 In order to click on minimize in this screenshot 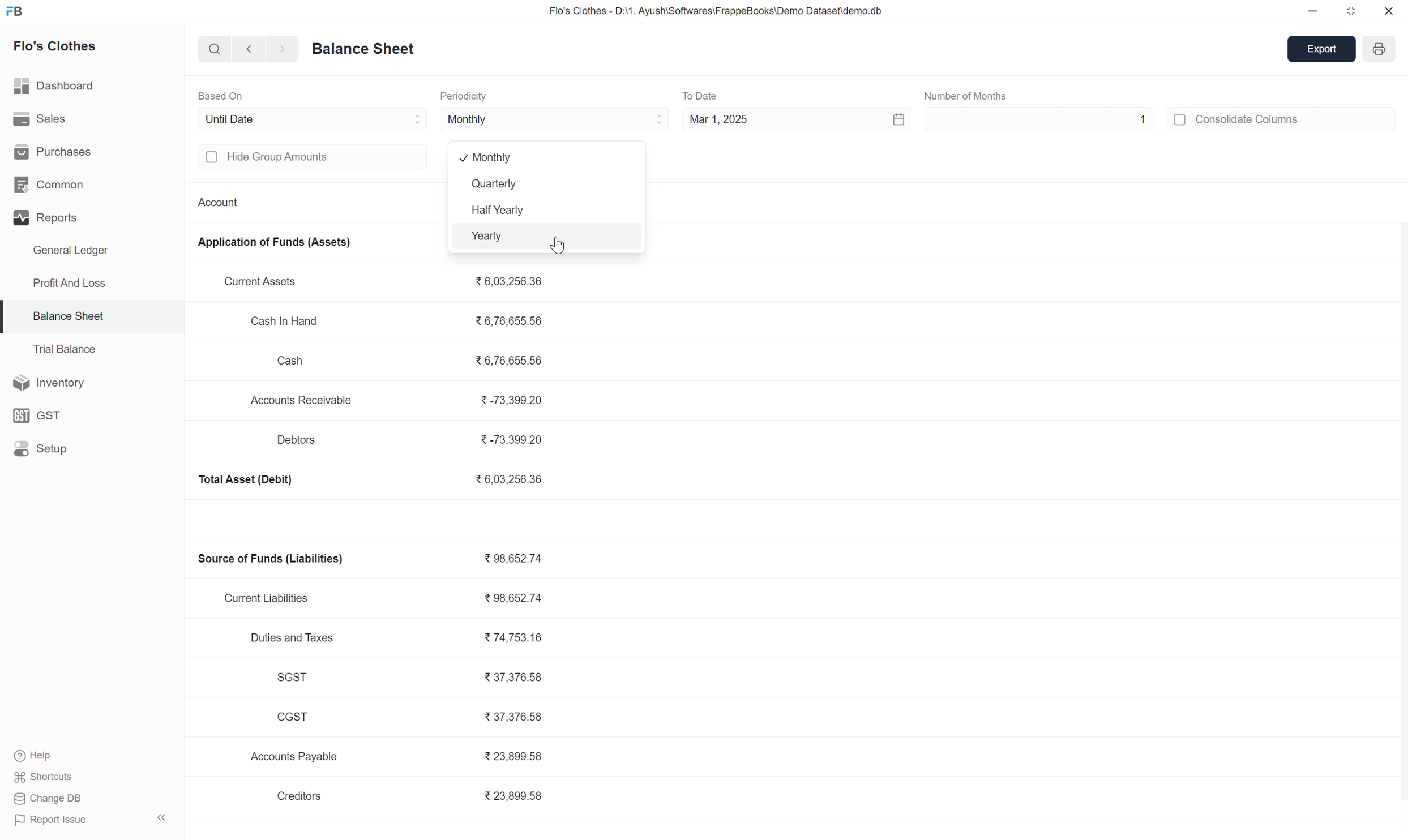, I will do `click(1310, 11)`.